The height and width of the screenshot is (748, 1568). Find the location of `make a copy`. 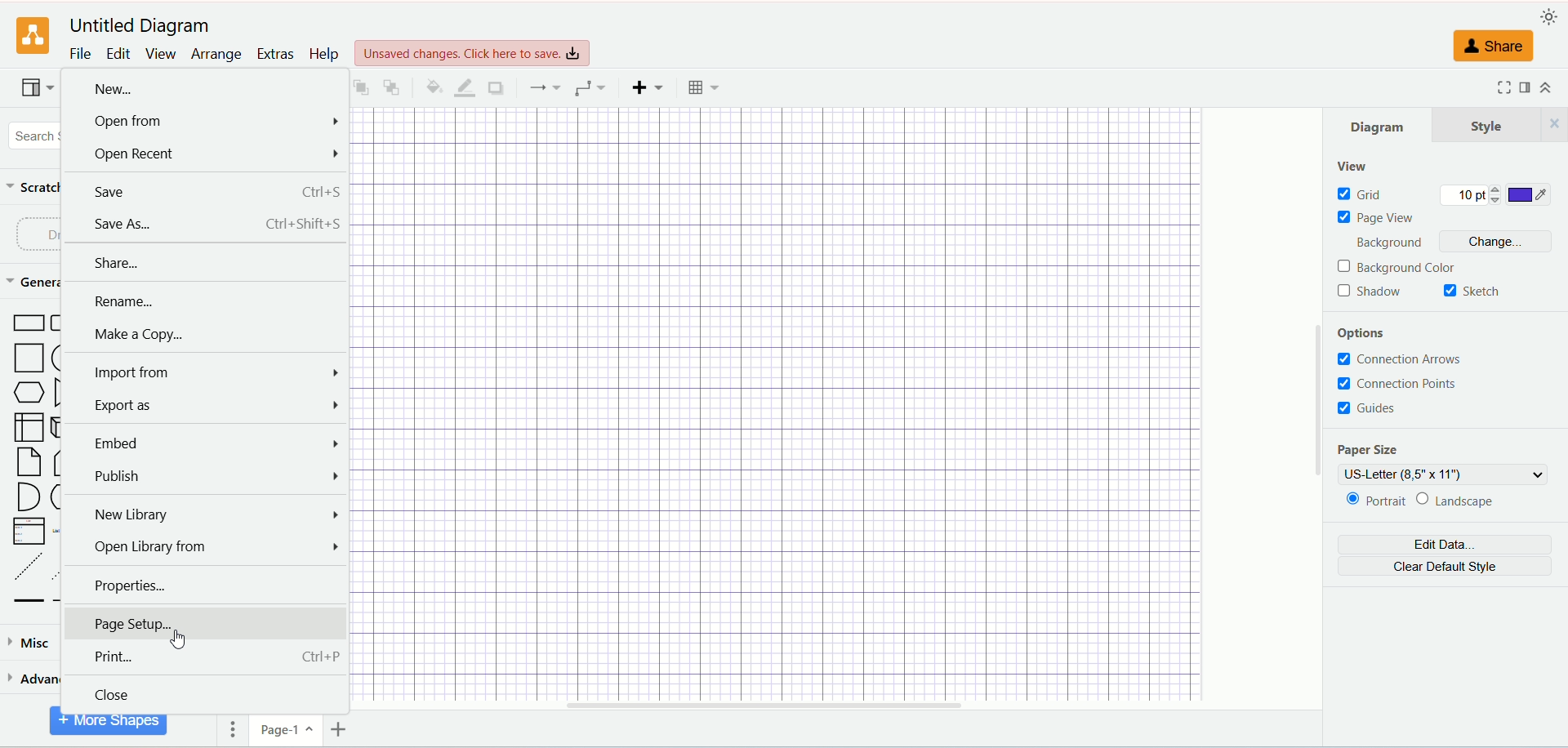

make a copy is located at coordinates (203, 336).